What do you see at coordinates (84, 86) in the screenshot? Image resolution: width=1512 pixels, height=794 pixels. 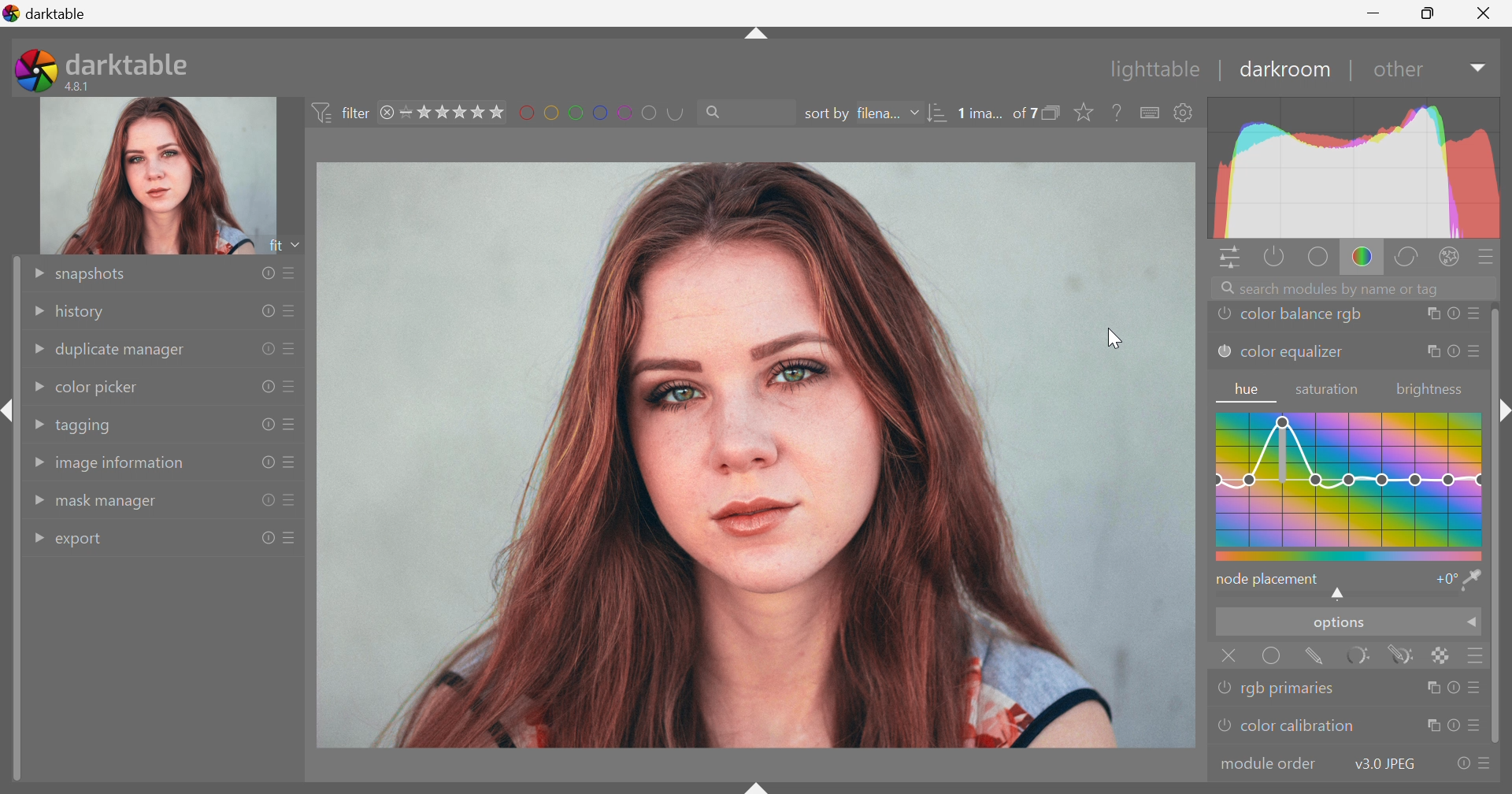 I see `4.8.1` at bounding box center [84, 86].